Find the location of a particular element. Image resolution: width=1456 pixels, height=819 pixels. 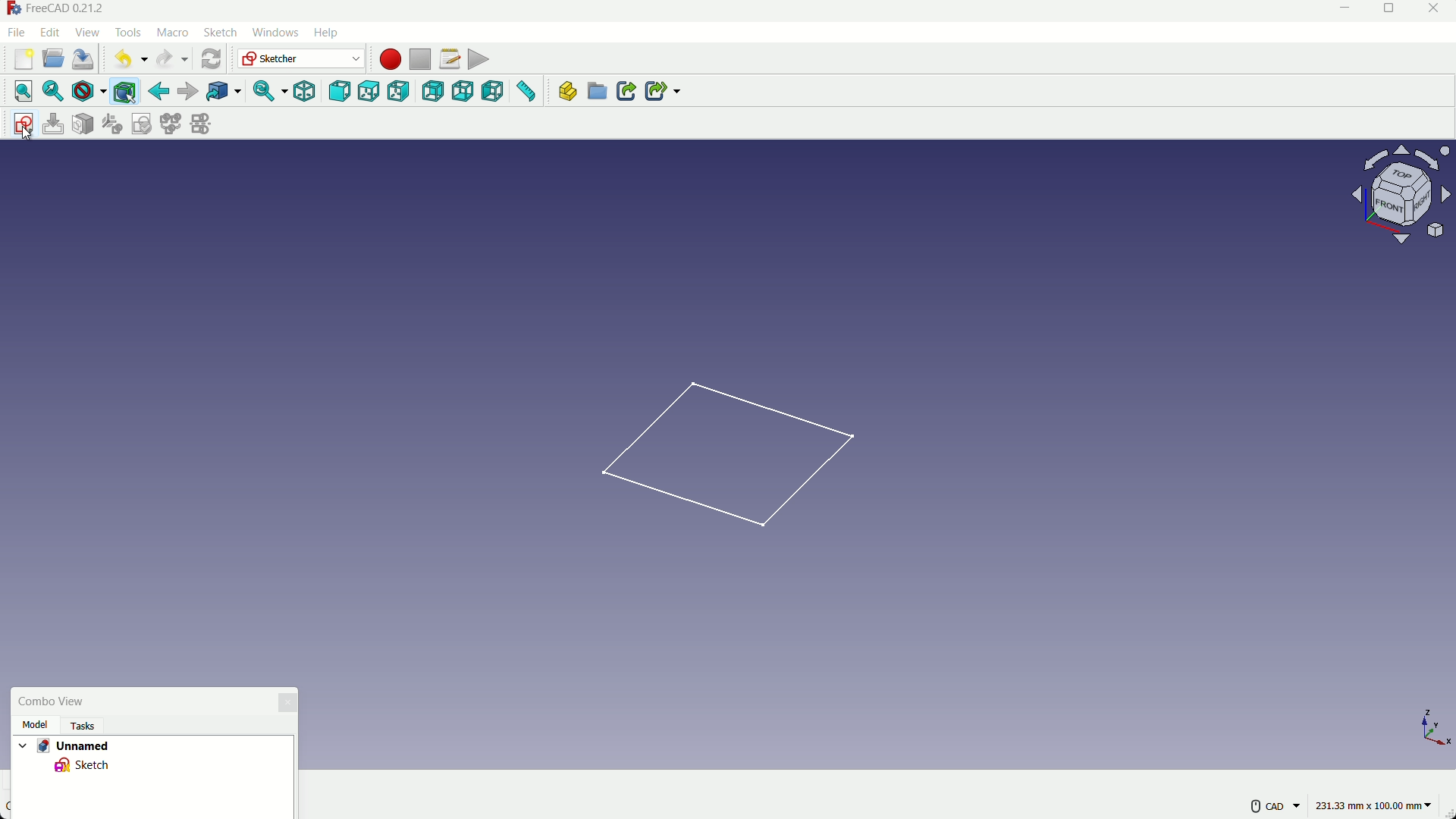

open file is located at coordinates (51, 60).